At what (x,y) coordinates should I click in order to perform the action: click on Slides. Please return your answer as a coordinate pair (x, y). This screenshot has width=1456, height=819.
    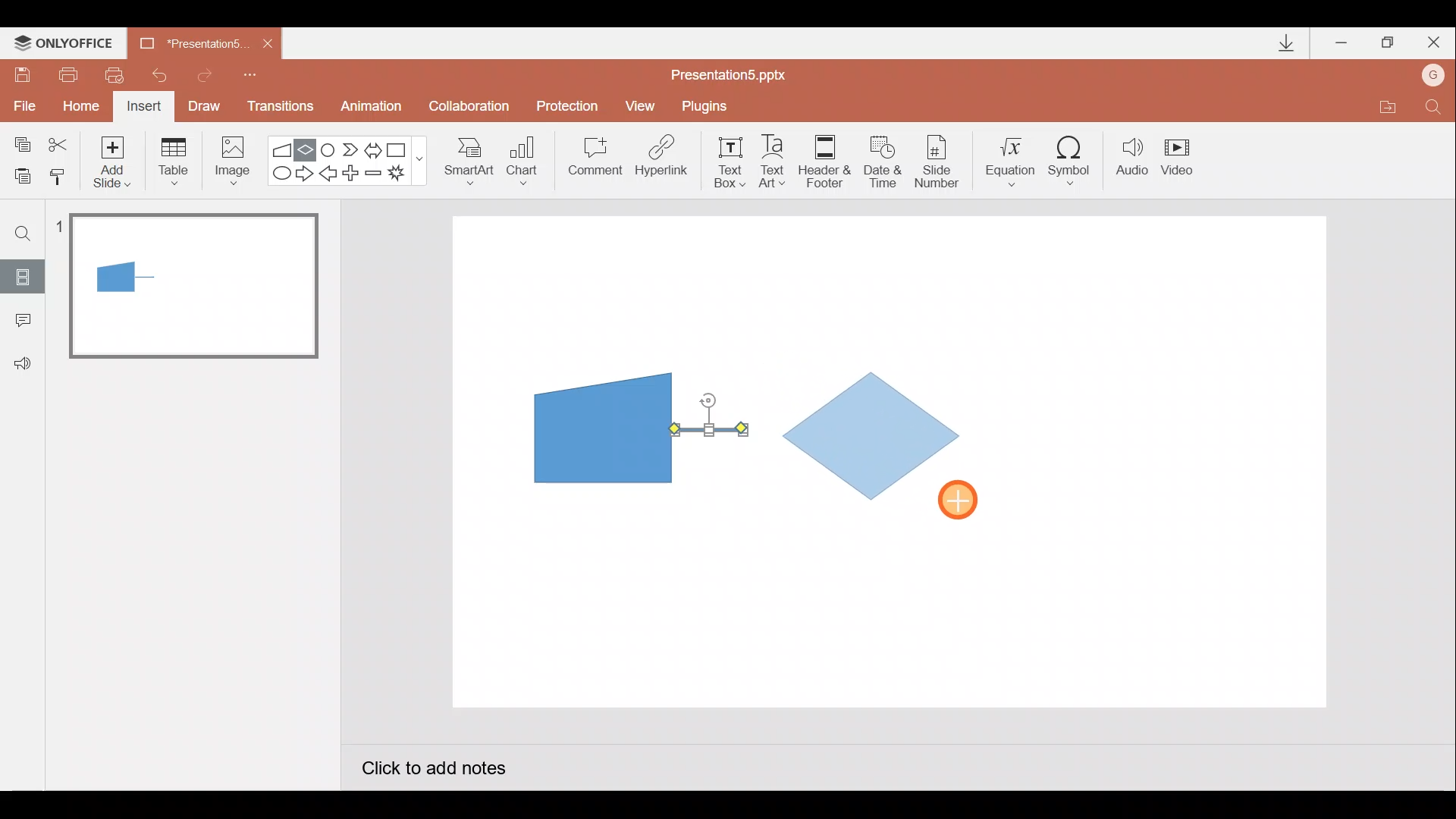
    Looking at the image, I should click on (22, 276).